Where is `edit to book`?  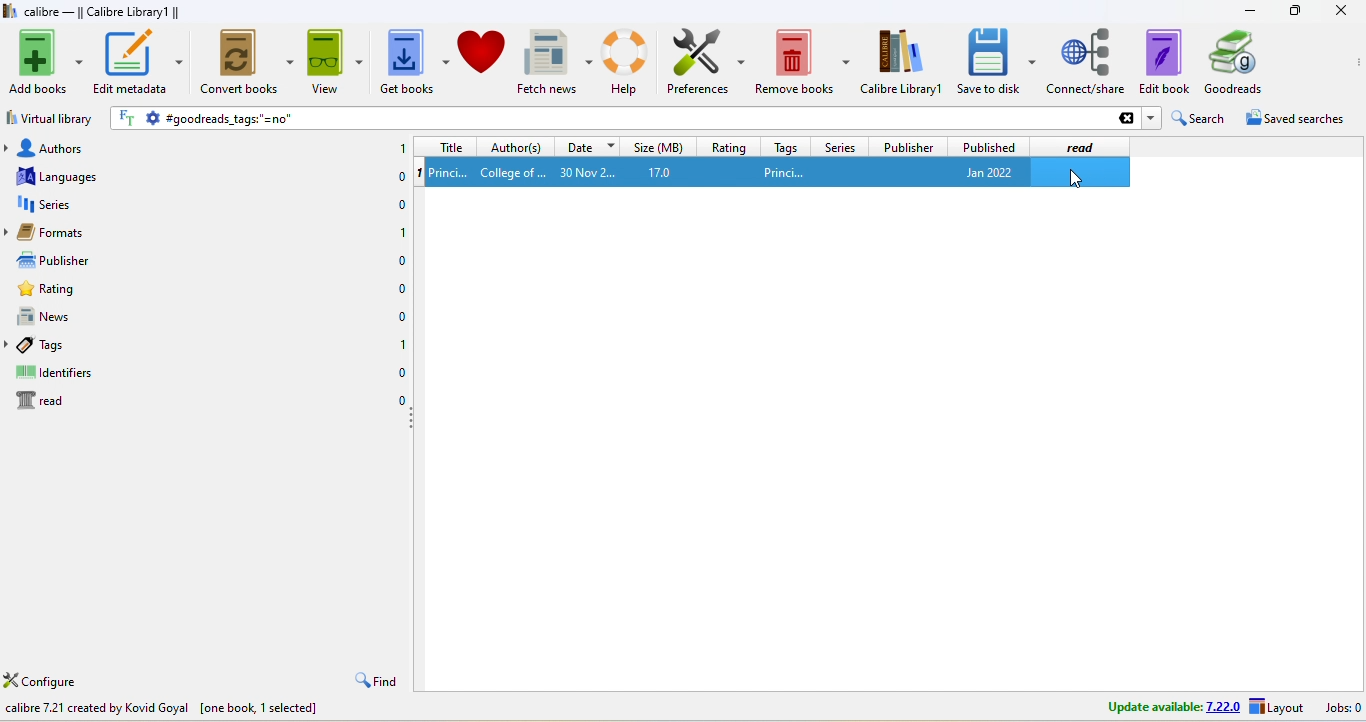
edit to book is located at coordinates (1164, 62).